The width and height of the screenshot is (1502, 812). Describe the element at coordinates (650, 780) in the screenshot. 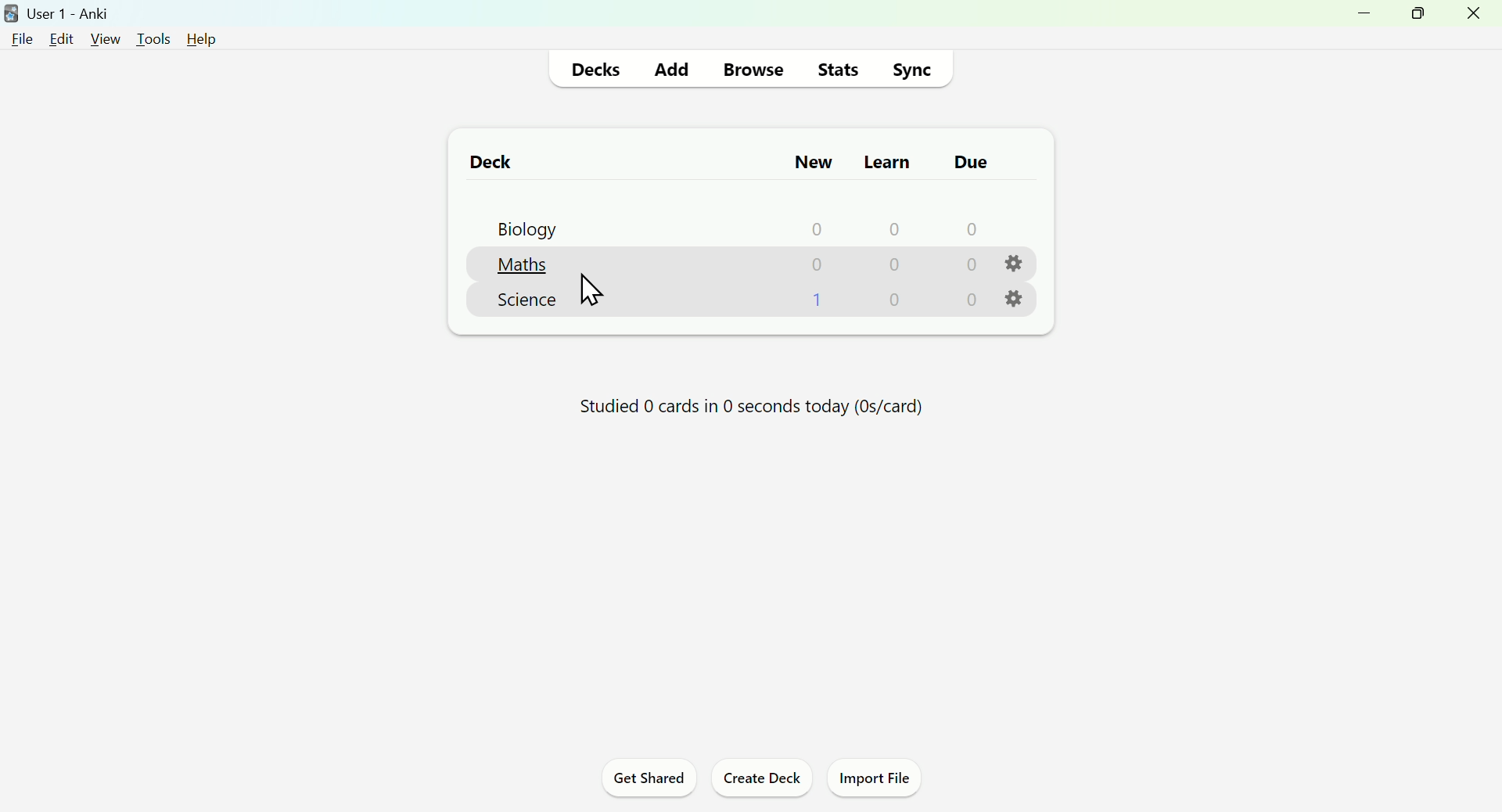

I see `Get Shared` at that location.